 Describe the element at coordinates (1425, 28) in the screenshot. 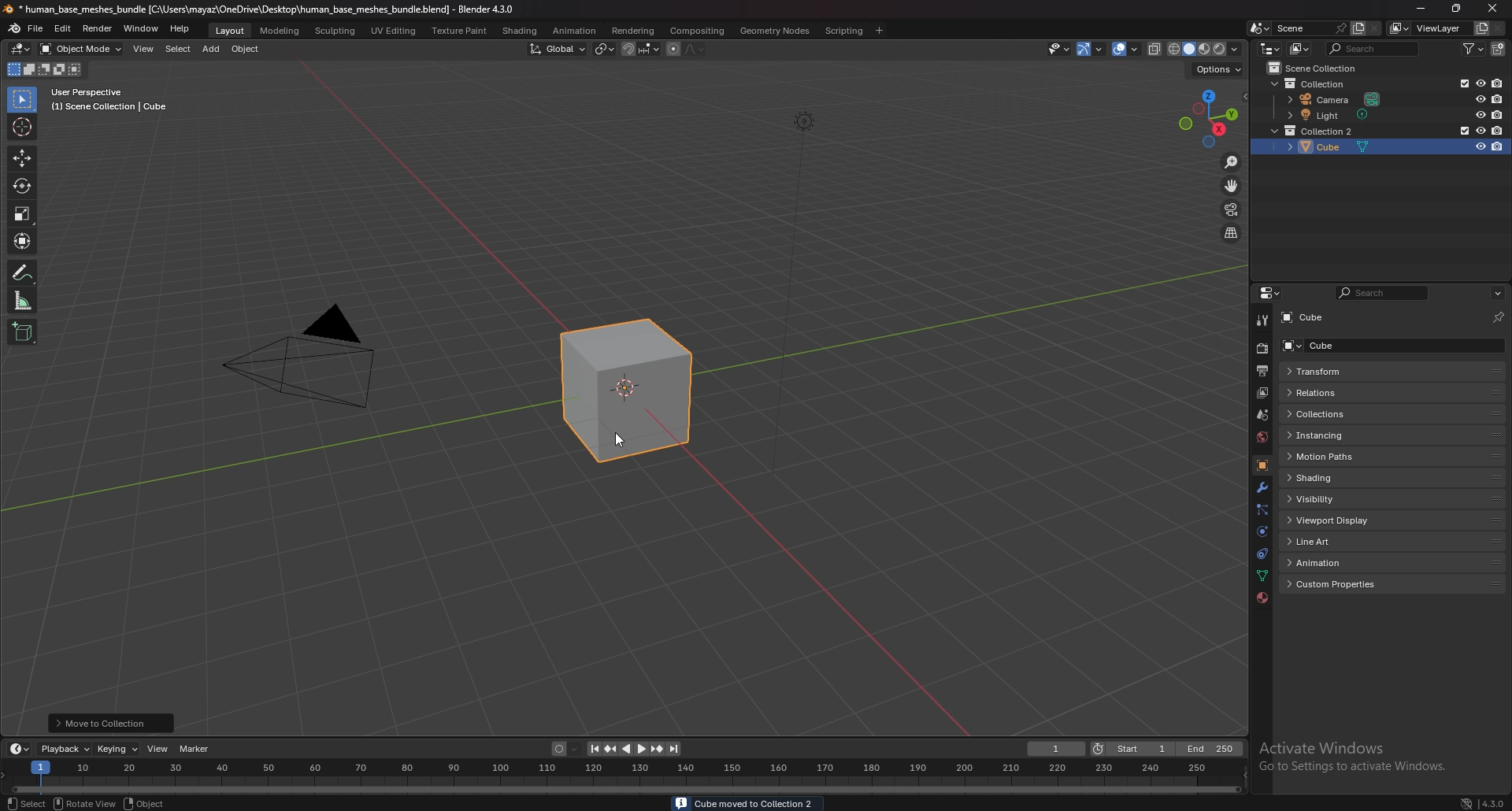

I see `view layer` at that location.